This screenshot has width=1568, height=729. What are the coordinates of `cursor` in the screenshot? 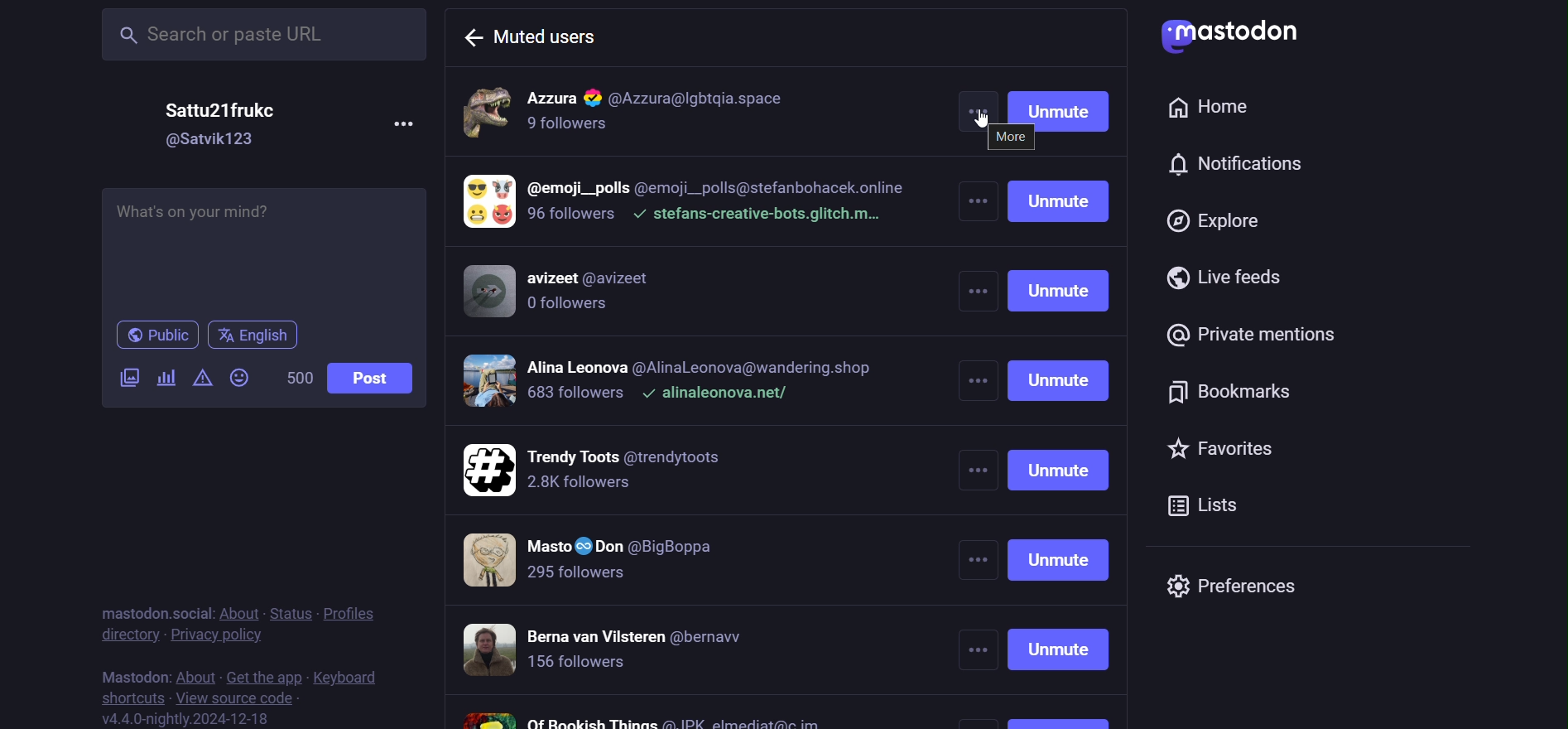 It's located at (976, 116).